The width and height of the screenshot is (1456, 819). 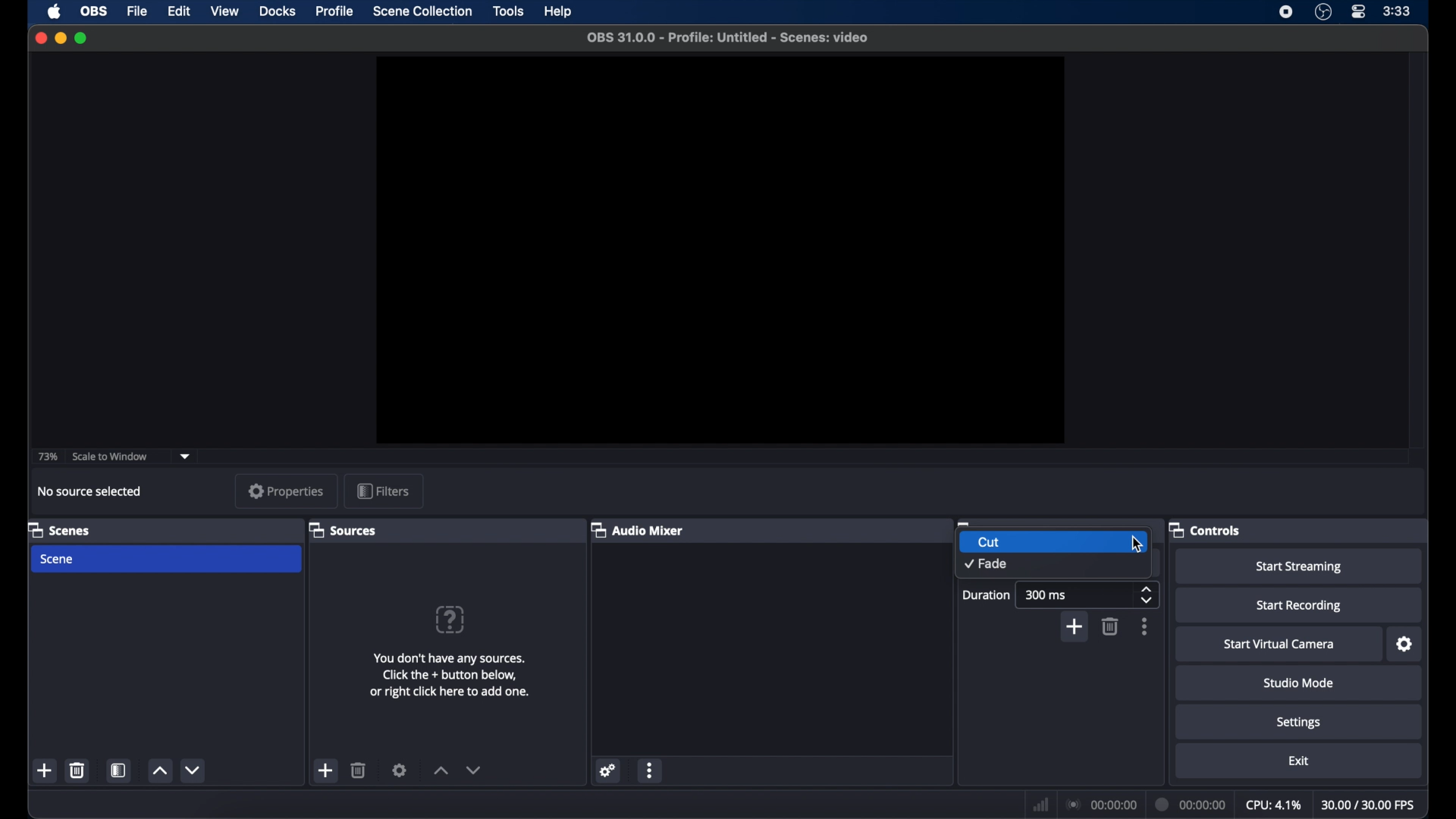 I want to click on delete, so click(x=78, y=770).